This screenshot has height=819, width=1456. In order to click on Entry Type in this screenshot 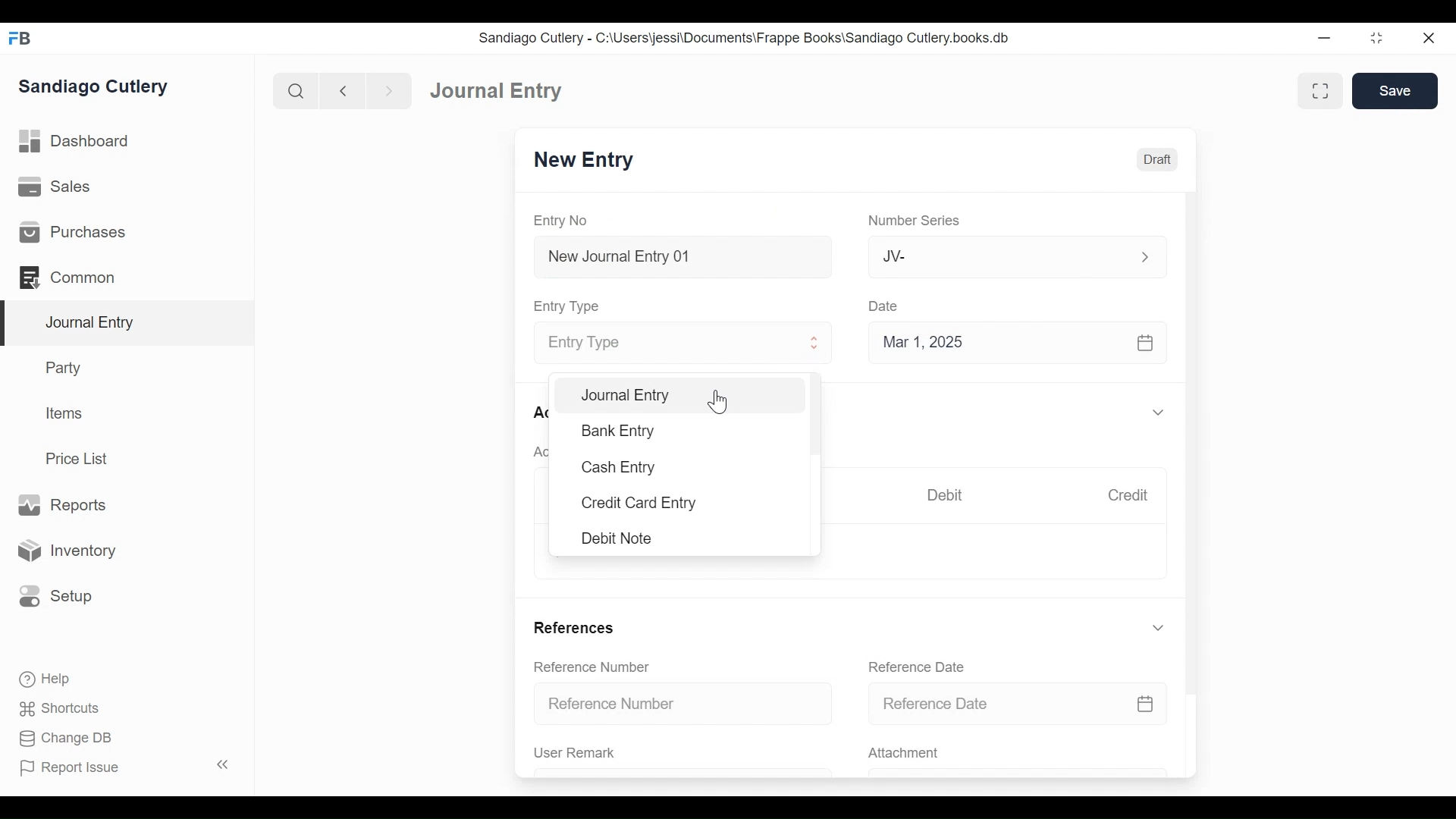, I will do `click(678, 340)`.